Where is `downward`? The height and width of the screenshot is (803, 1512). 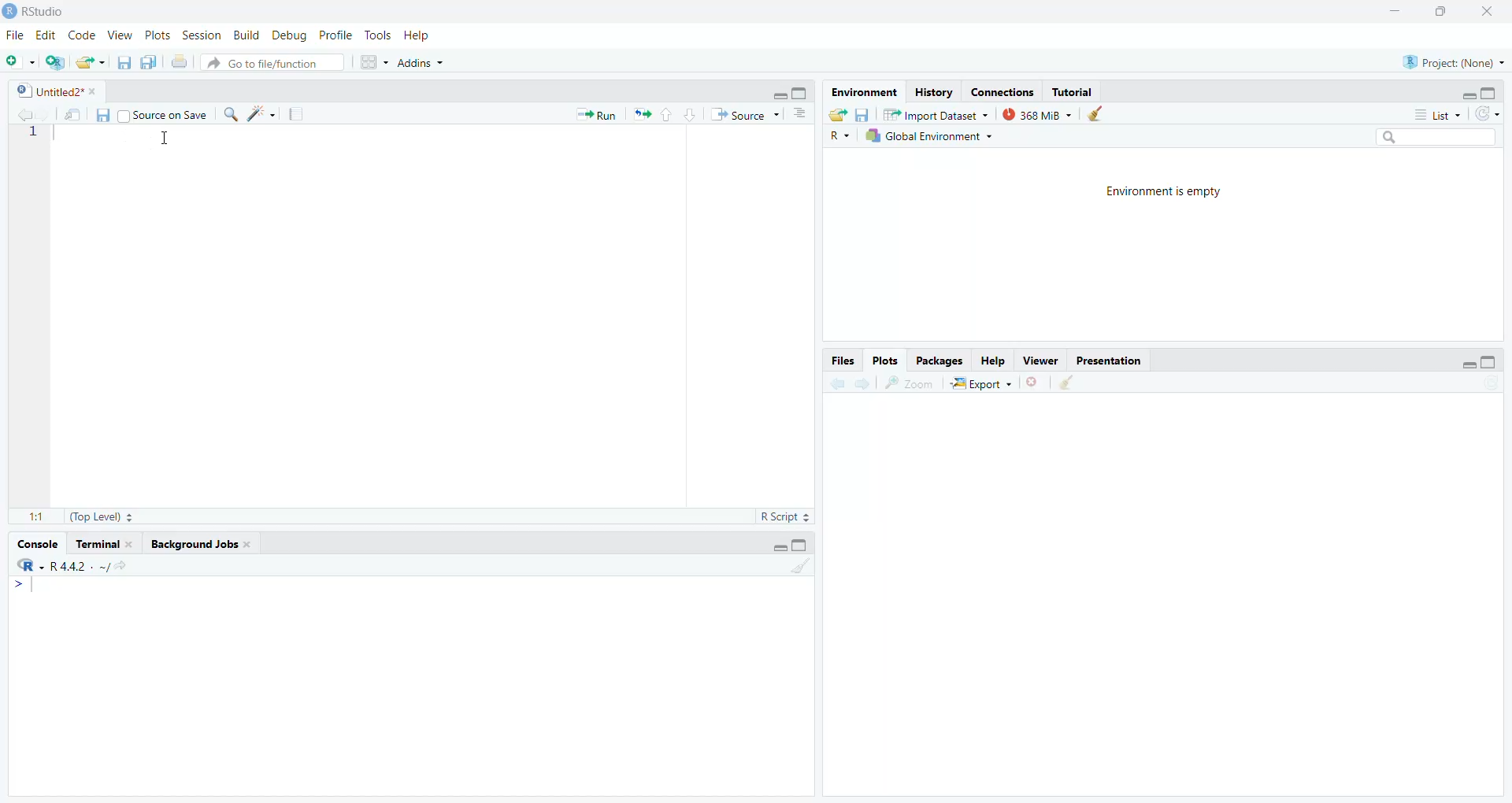 downward is located at coordinates (691, 117).